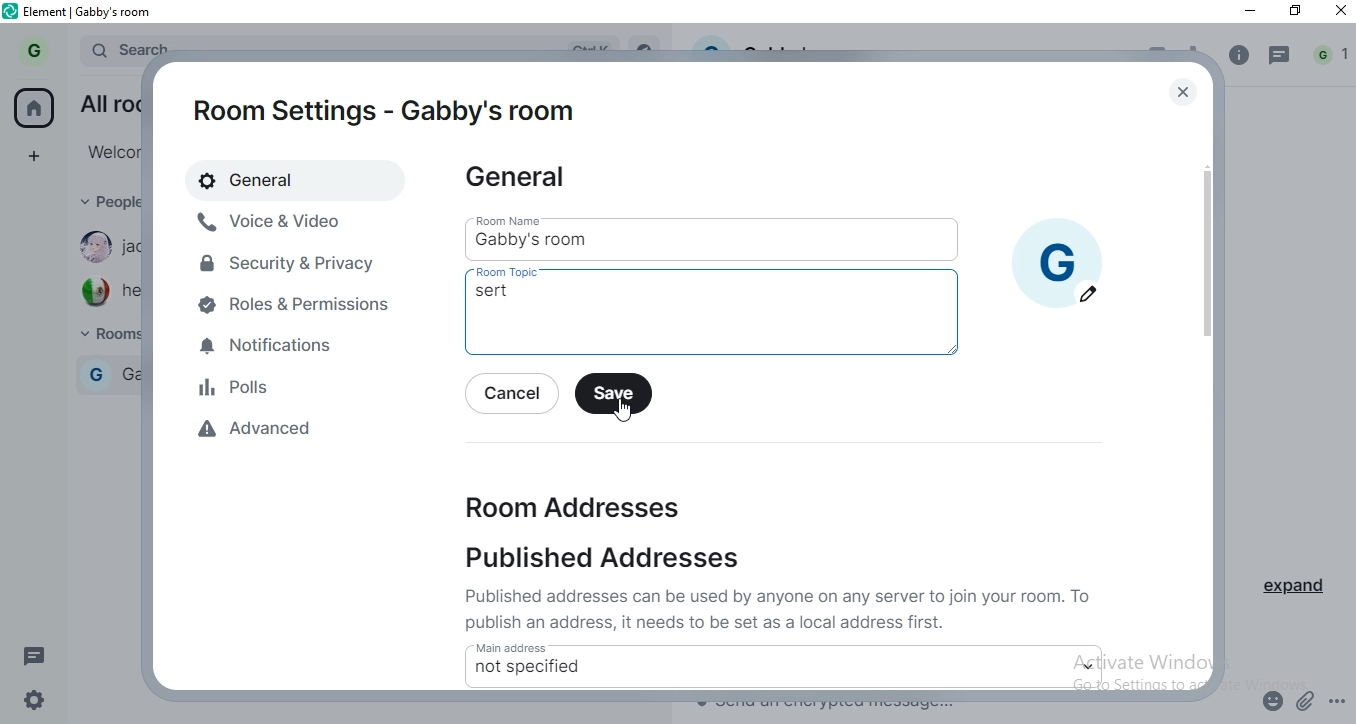 Image resolution: width=1356 pixels, height=724 pixels. Describe the element at coordinates (316, 431) in the screenshot. I see `advanced` at that location.